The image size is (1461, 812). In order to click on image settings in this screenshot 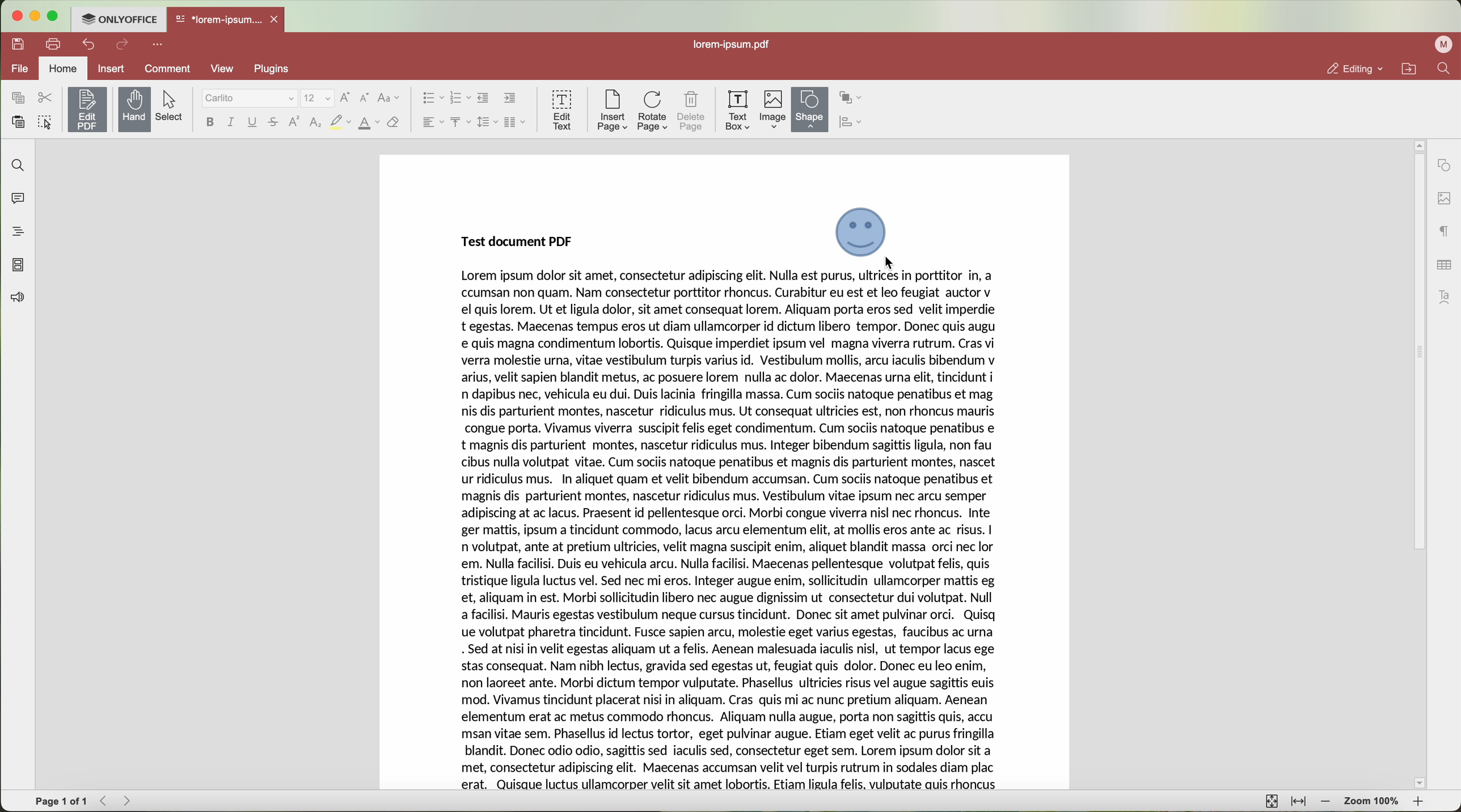, I will do `click(1443, 198)`.